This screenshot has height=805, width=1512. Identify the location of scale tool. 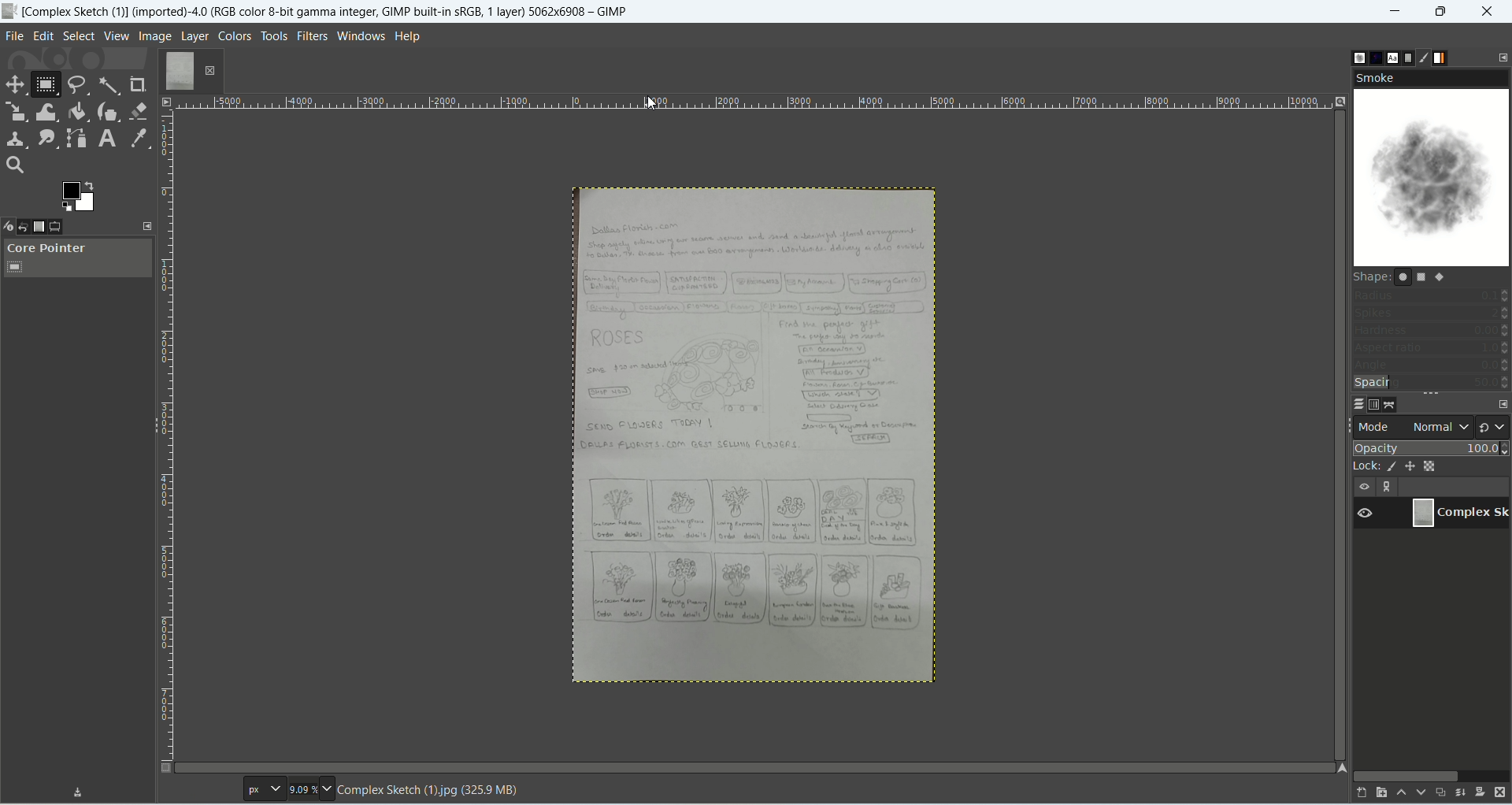
(17, 113).